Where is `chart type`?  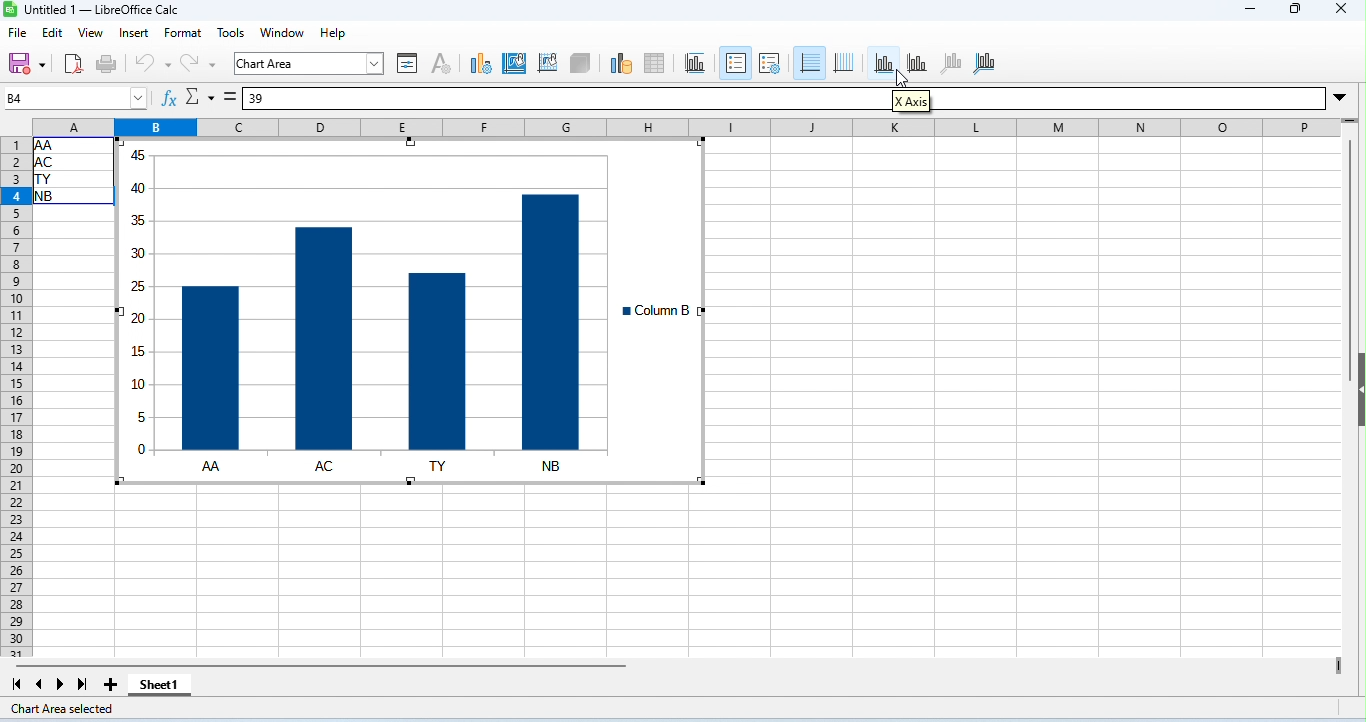 chart type is located at coordinates (482, 64).